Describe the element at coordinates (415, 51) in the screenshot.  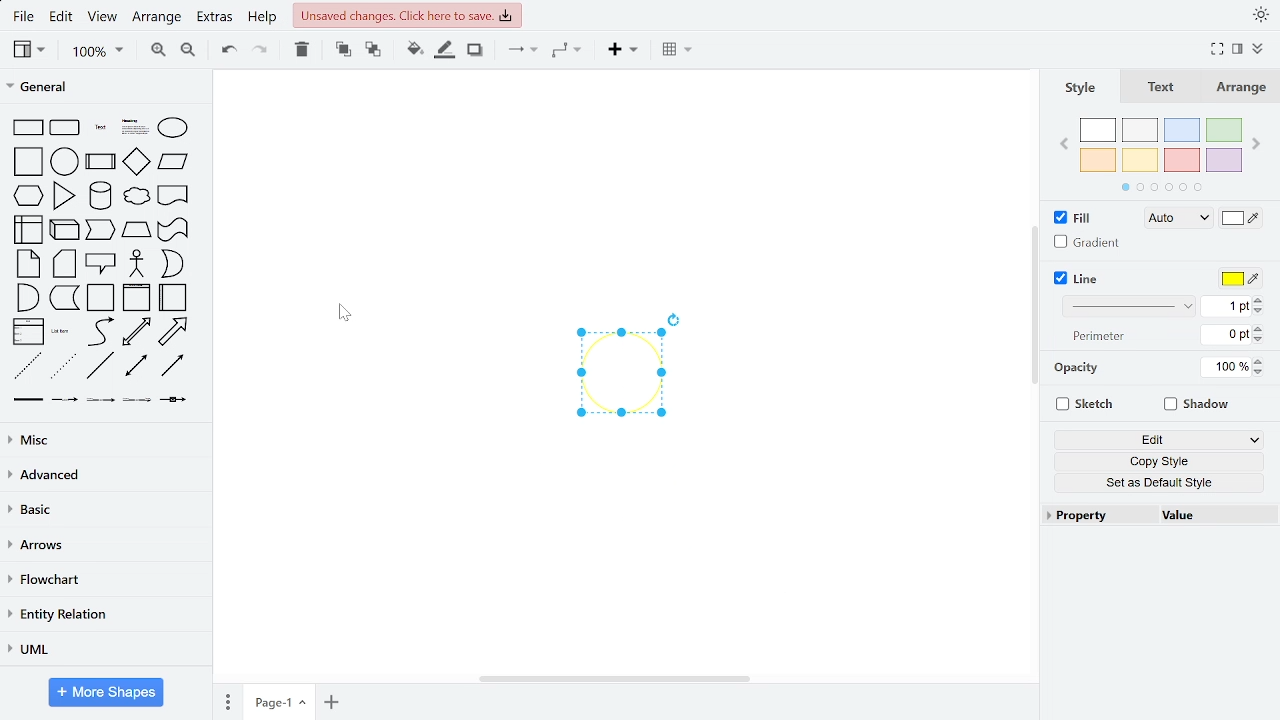
I see `fill color` at that location.